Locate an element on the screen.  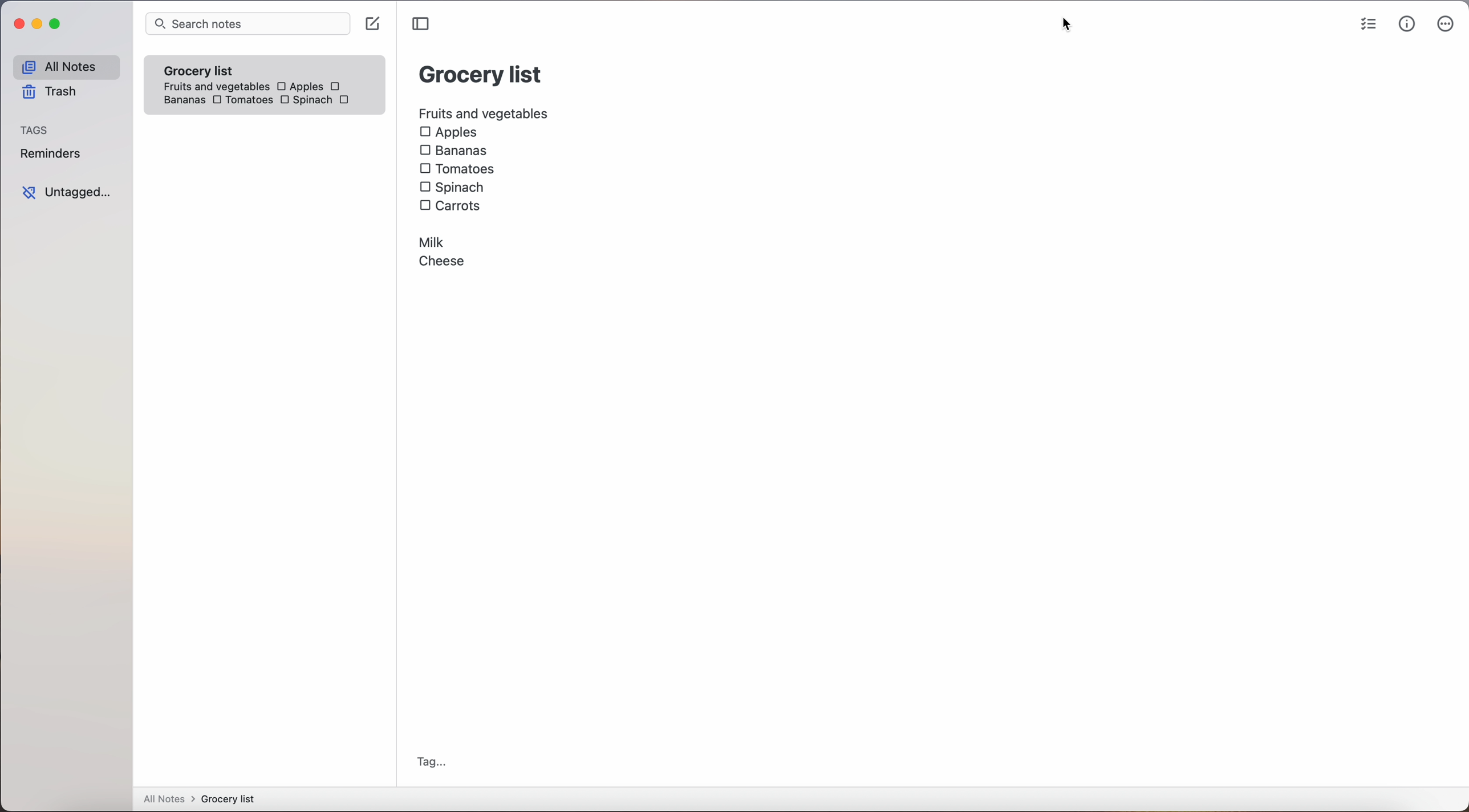
trash is located at coordinates (48, 94).